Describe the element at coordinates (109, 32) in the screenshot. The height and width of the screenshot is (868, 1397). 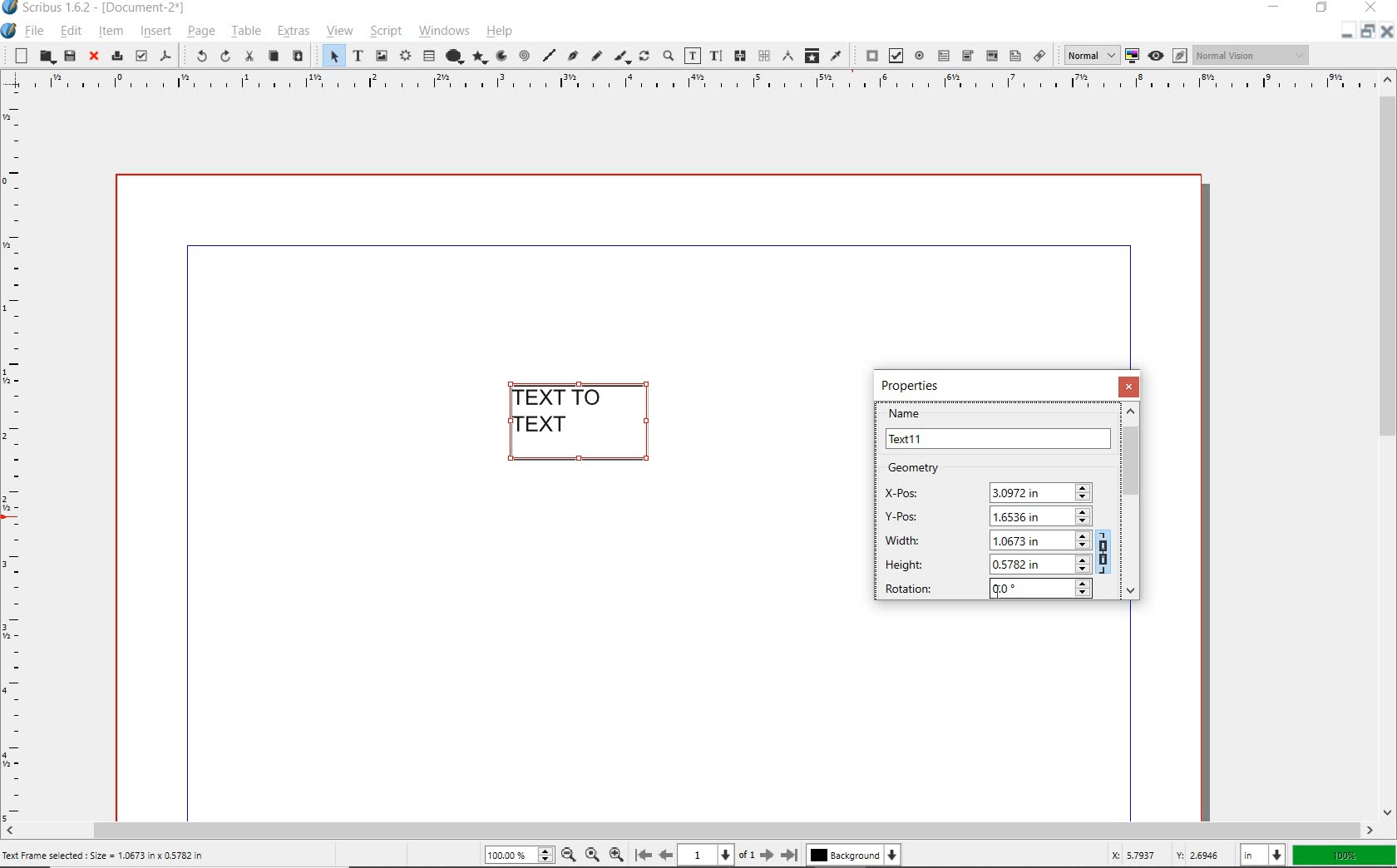
I see `item` at that location.